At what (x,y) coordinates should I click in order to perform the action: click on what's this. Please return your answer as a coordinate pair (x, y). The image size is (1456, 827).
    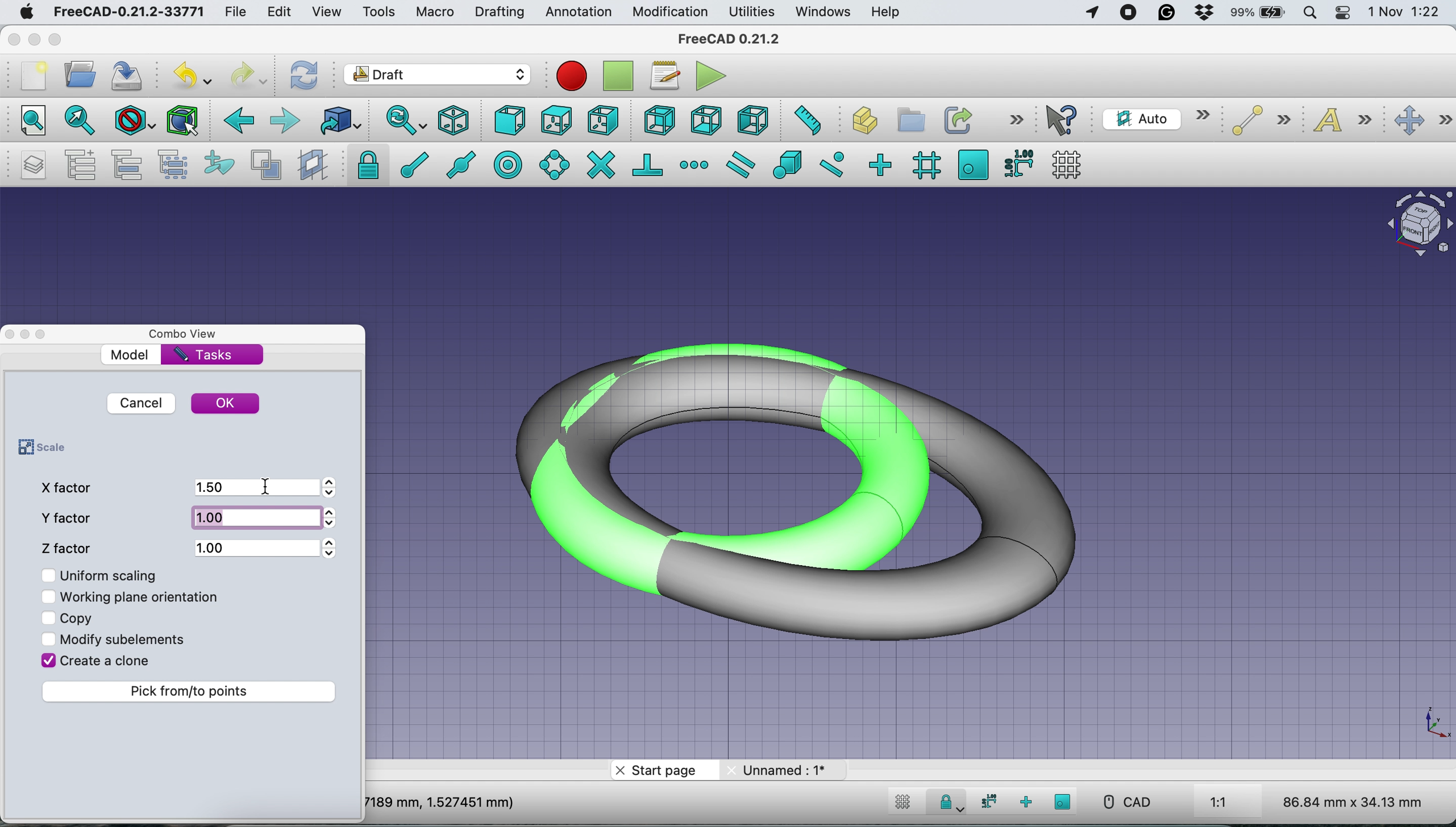
    Looking at the image, I should click on (1065, 120).